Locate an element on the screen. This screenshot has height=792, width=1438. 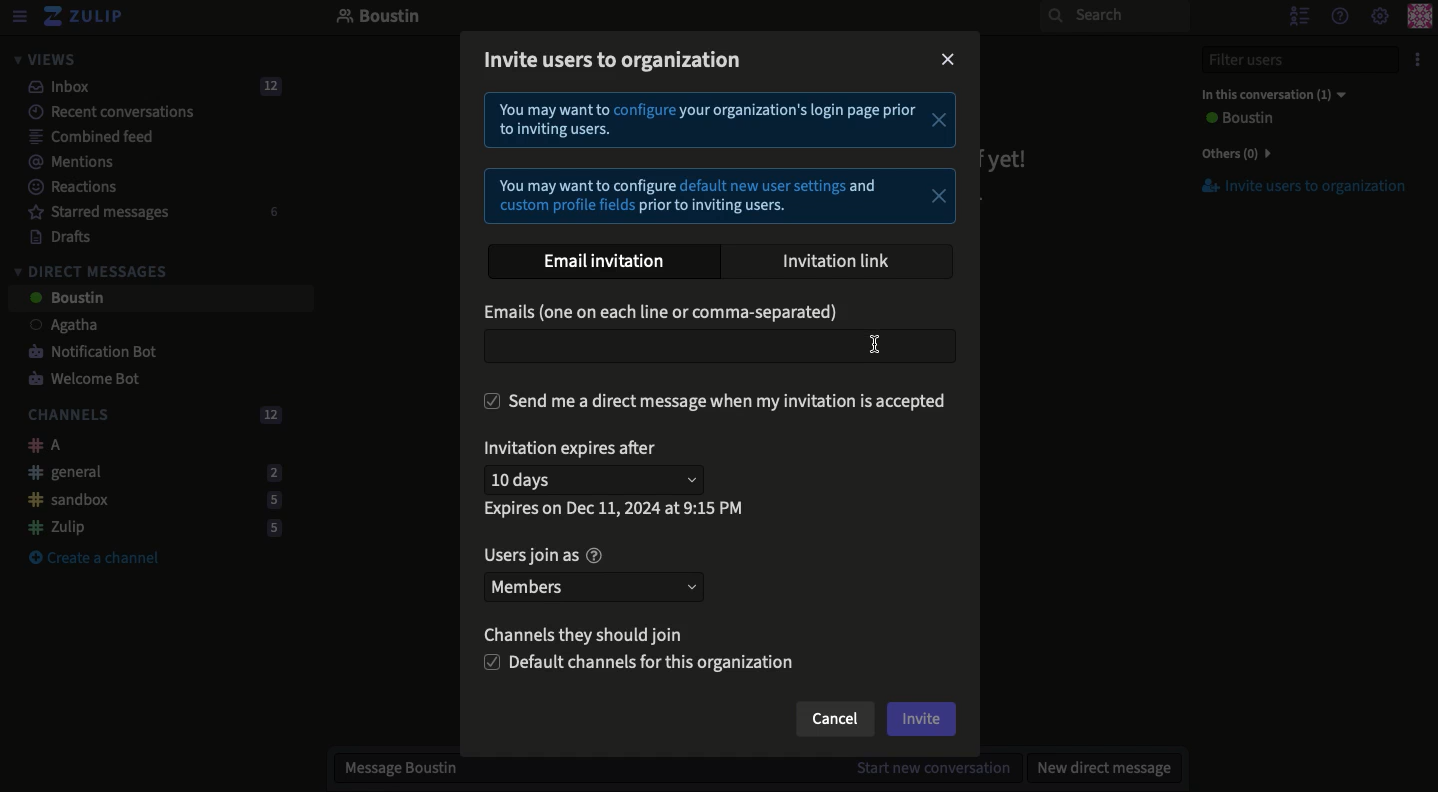
Reactions is located at coordinates (69, 189).